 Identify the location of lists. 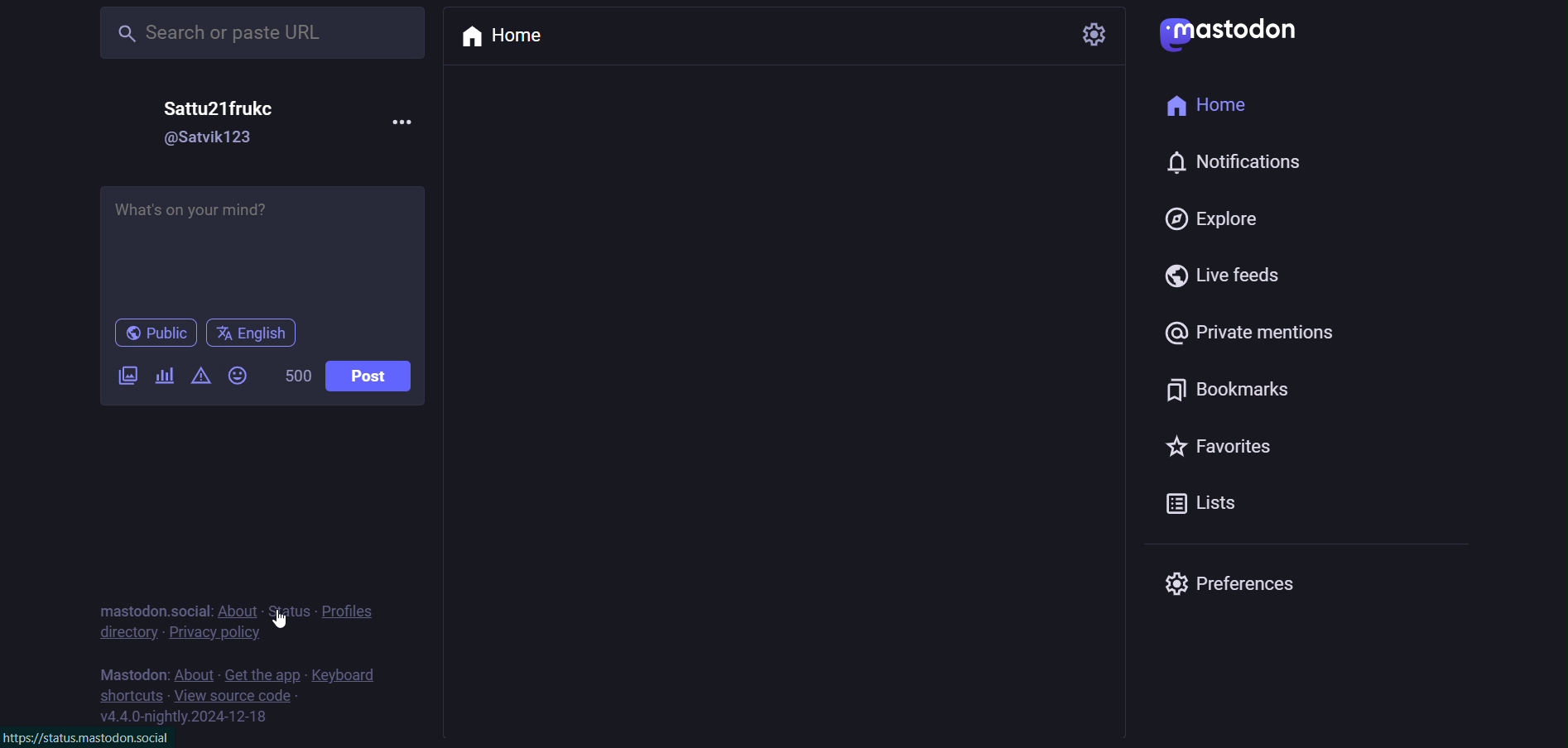
(1207, 500).